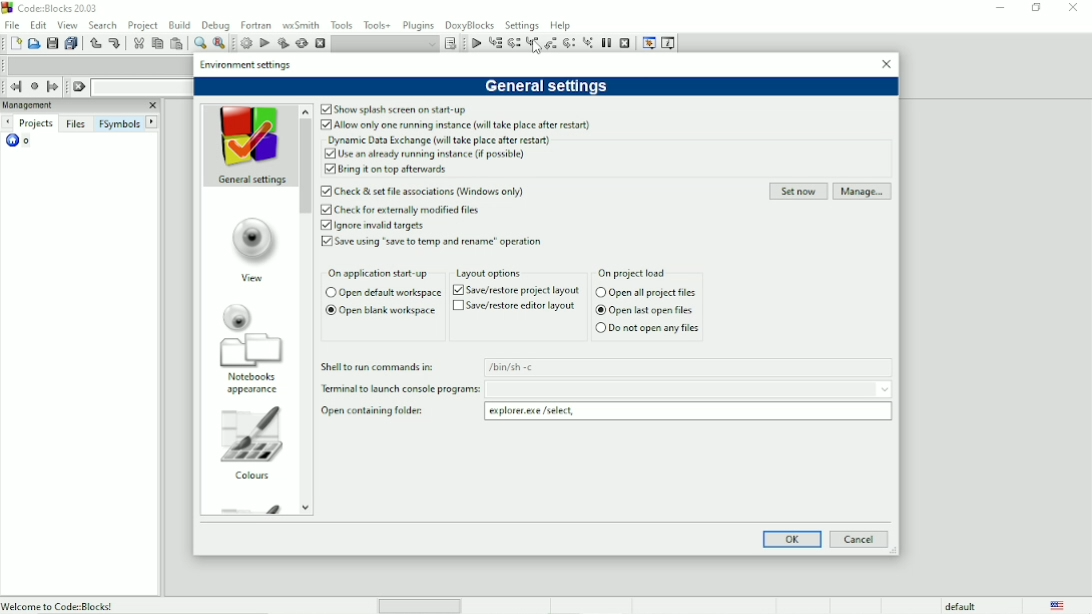  Describe the element at coordinates (250, 247) in the screenshot. I see `View` at that location.